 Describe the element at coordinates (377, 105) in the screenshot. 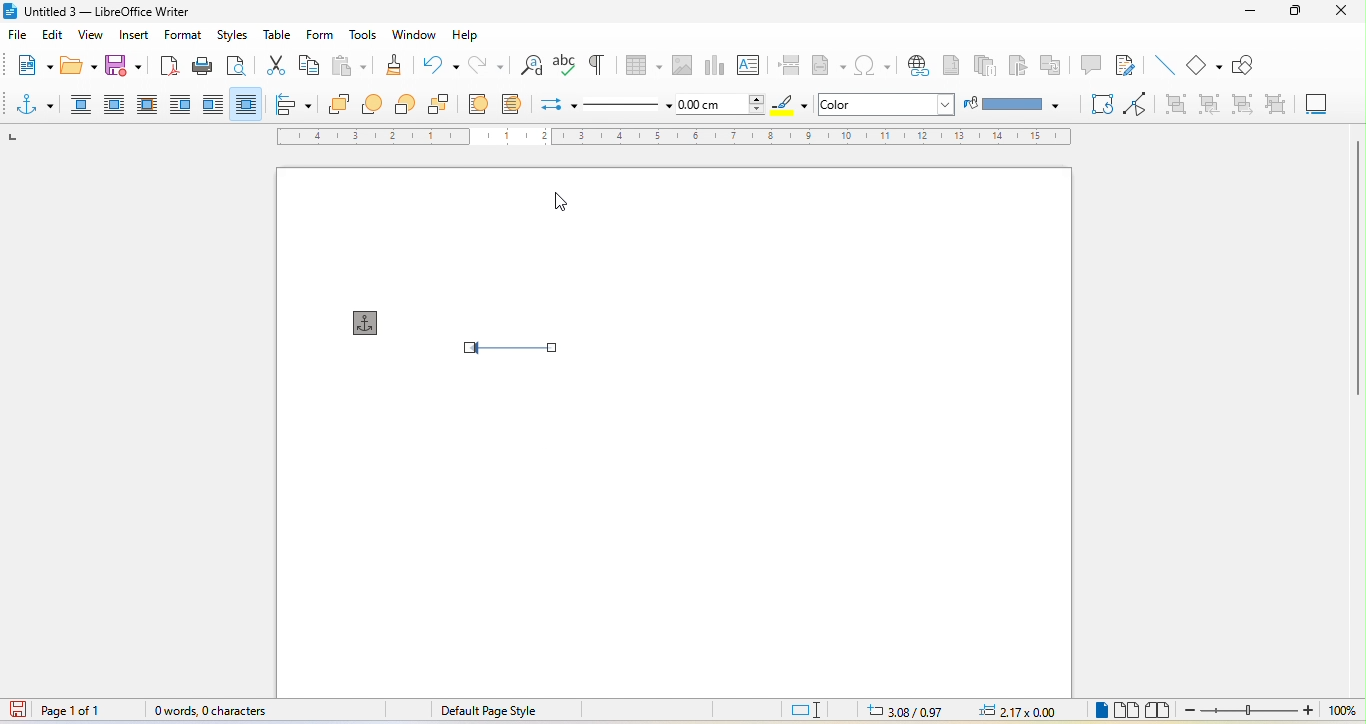

I see `forward one` at that location.